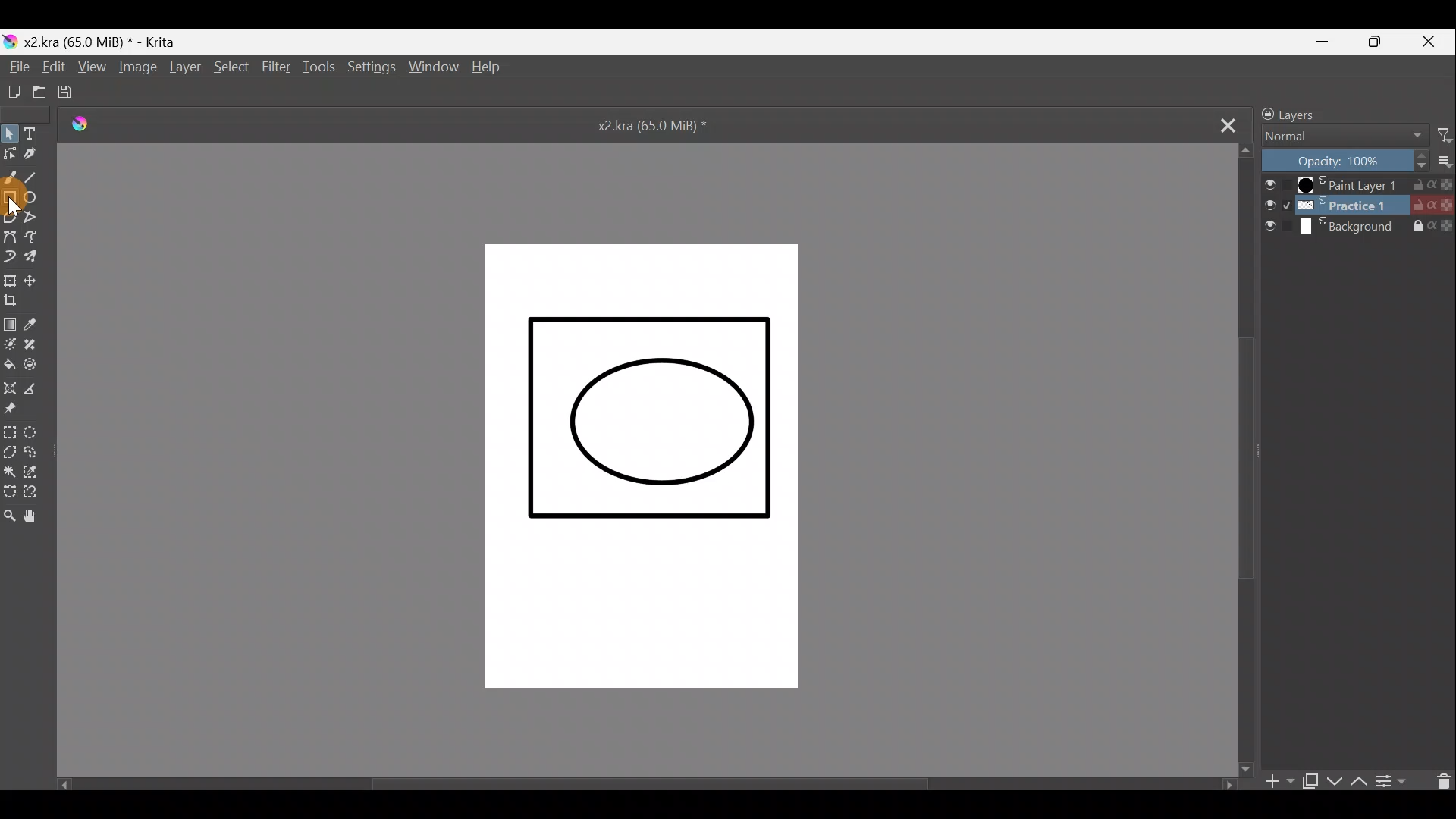 This screenshot has height=819, width=1456. Describe the element at coordinates (36, 200) in the screenshot. I see `Ellipse tool` at that location.